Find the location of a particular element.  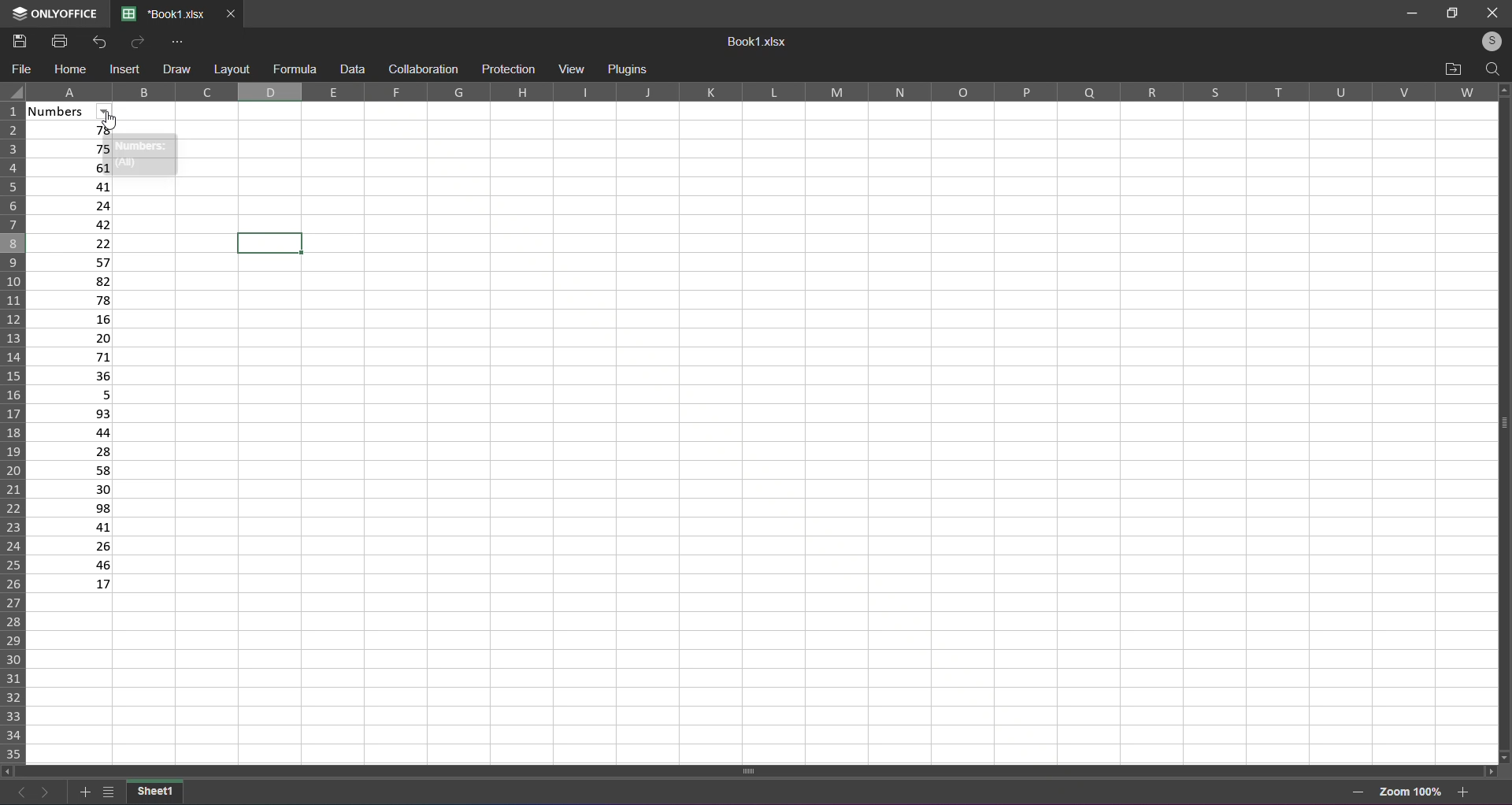

22 is located at coordinates (74, 242).